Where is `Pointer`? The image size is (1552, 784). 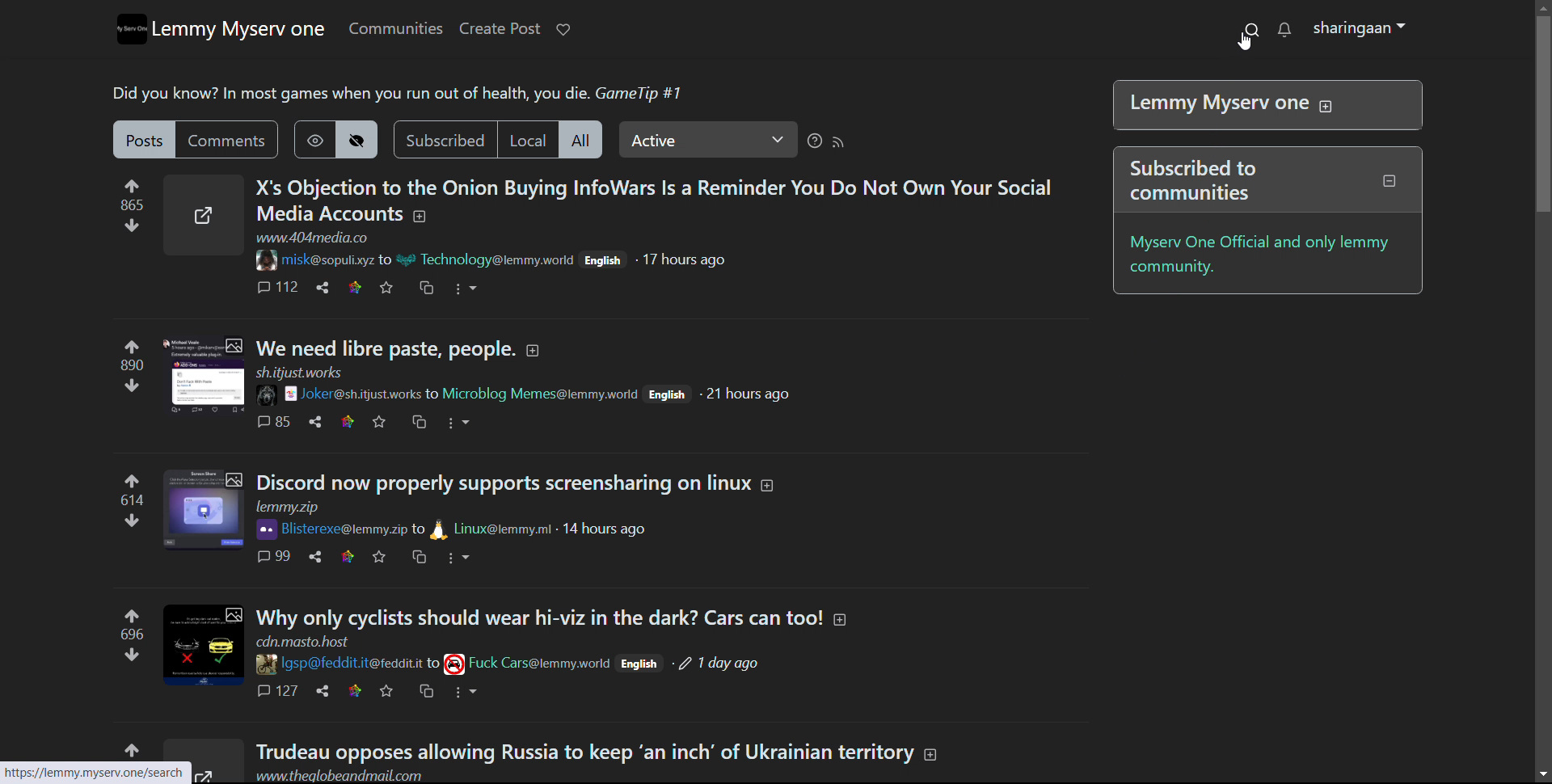 Pointer is located at coordinates (1244, 44).